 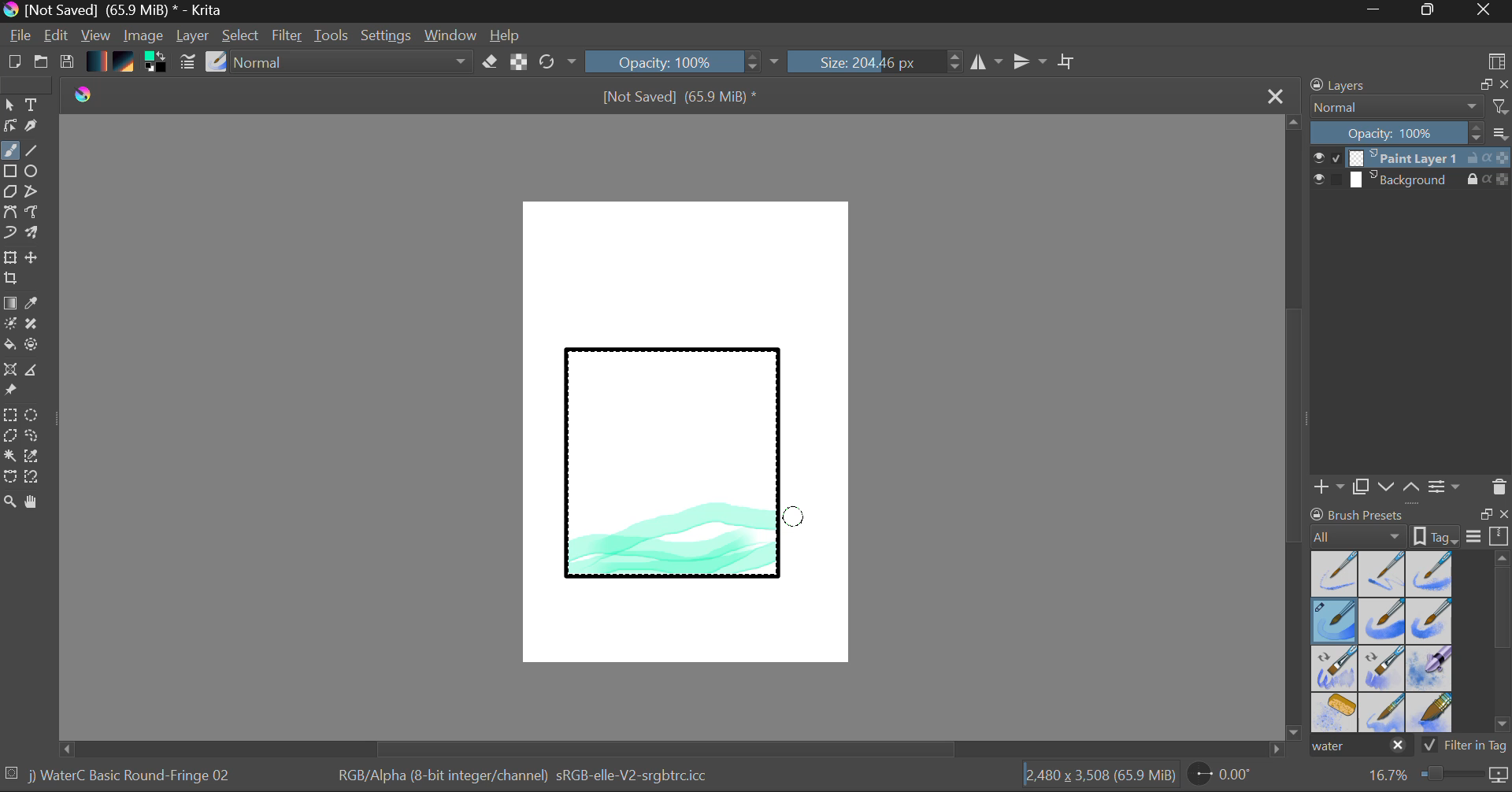 What do you see at coordinates (1503, 645) in the screenshot?
I see `Scroll Bar` at bounding box center [1503, 645].